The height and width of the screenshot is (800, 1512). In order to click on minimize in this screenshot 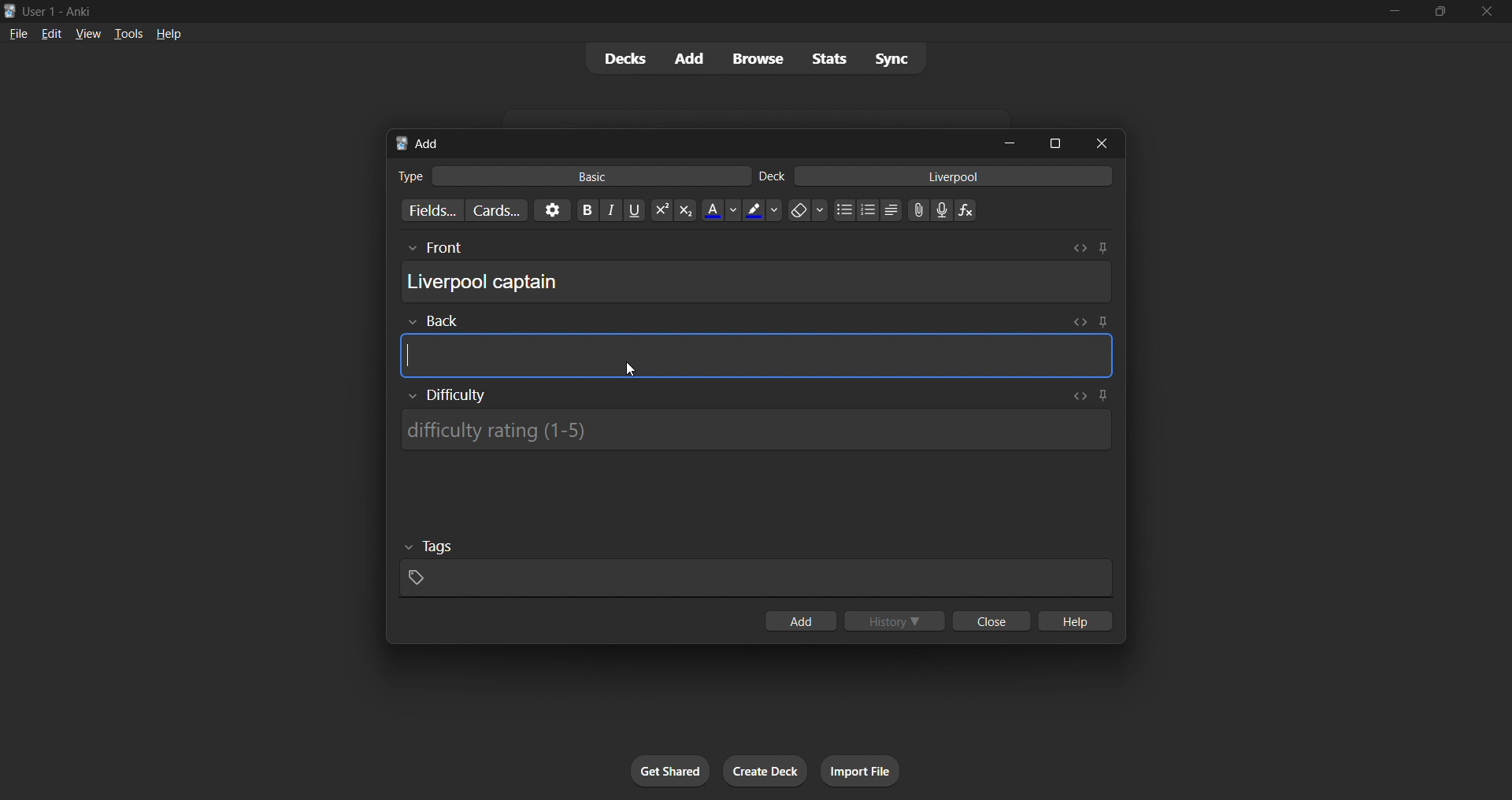, I will do `click(1010, 143)`.